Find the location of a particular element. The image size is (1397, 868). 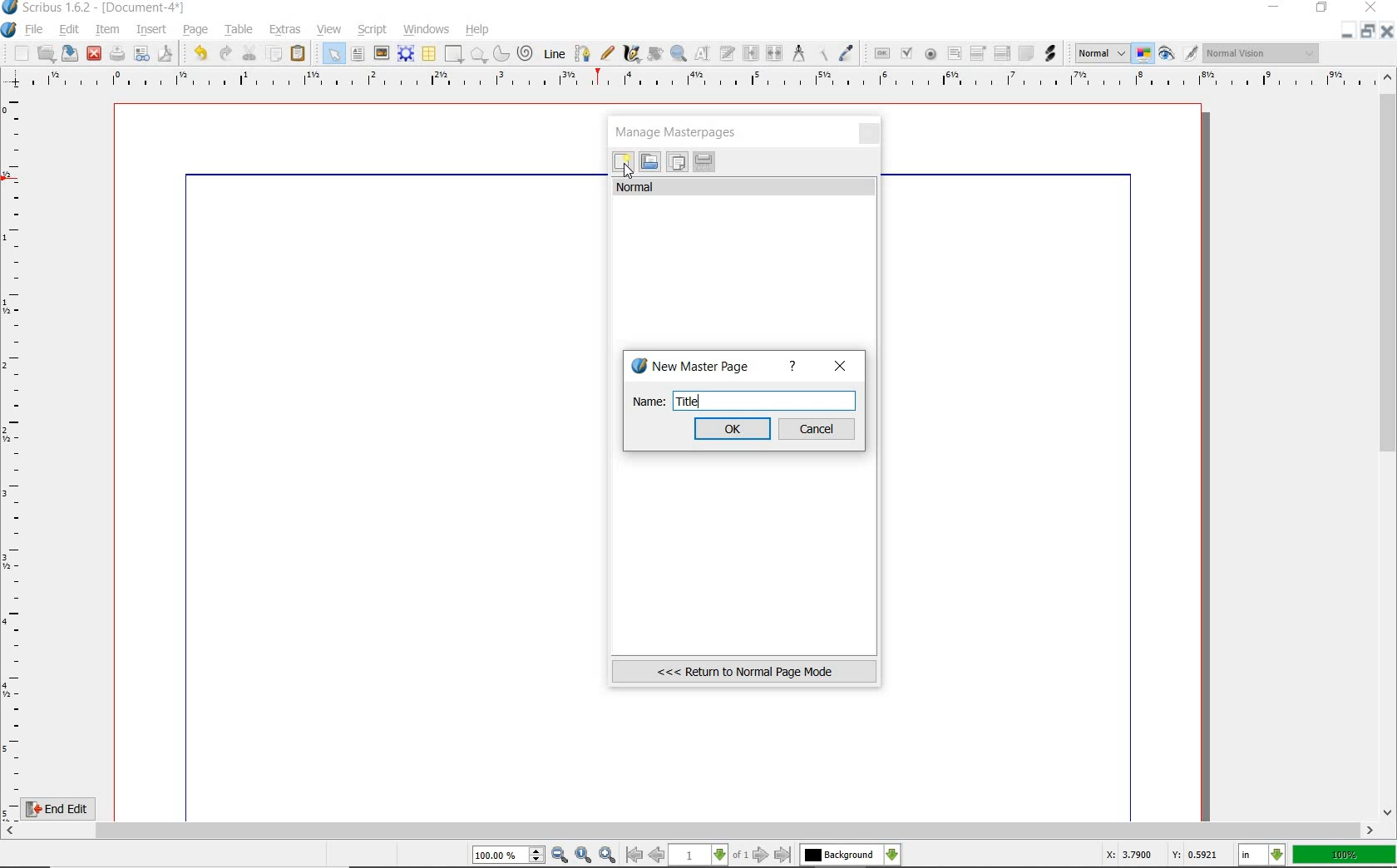

pdf combo box is located at coordinates (979, 52).